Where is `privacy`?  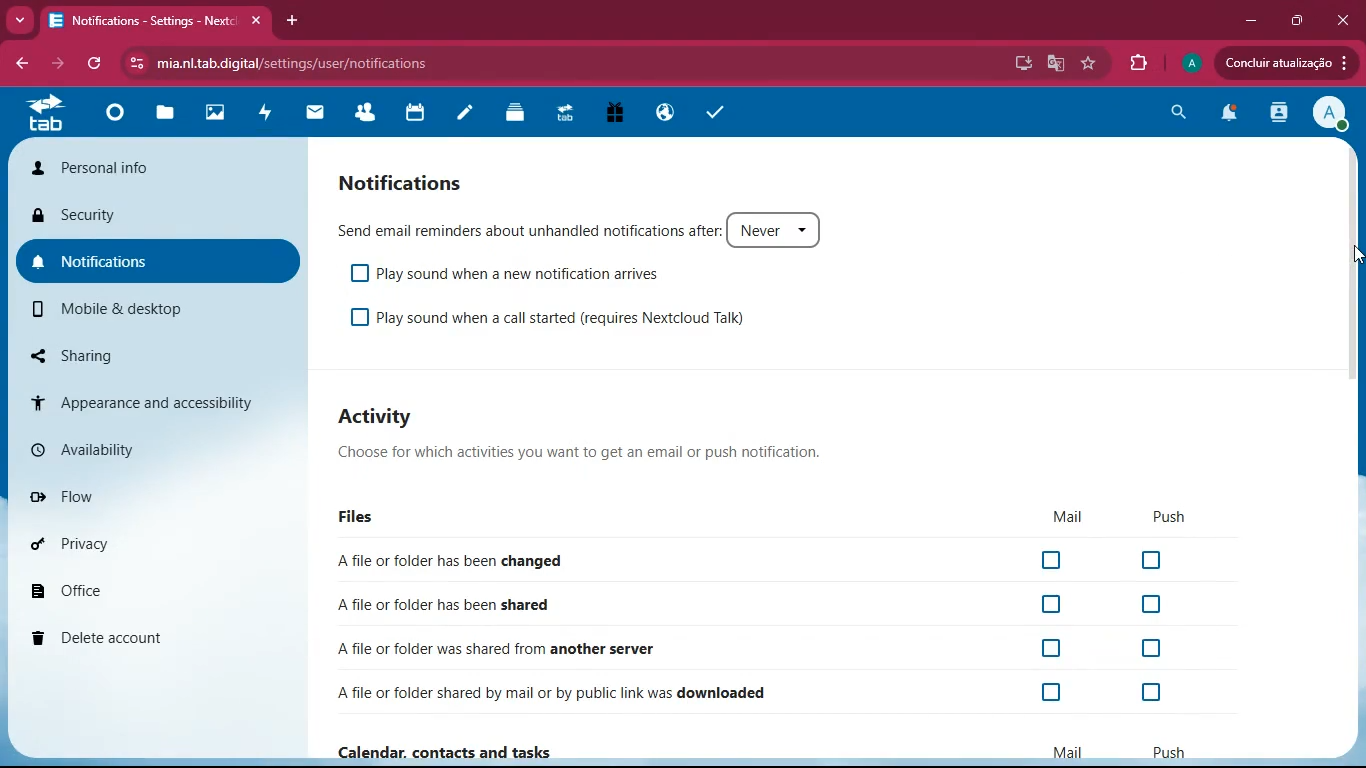 privacy is located at coordinates (136, 546).